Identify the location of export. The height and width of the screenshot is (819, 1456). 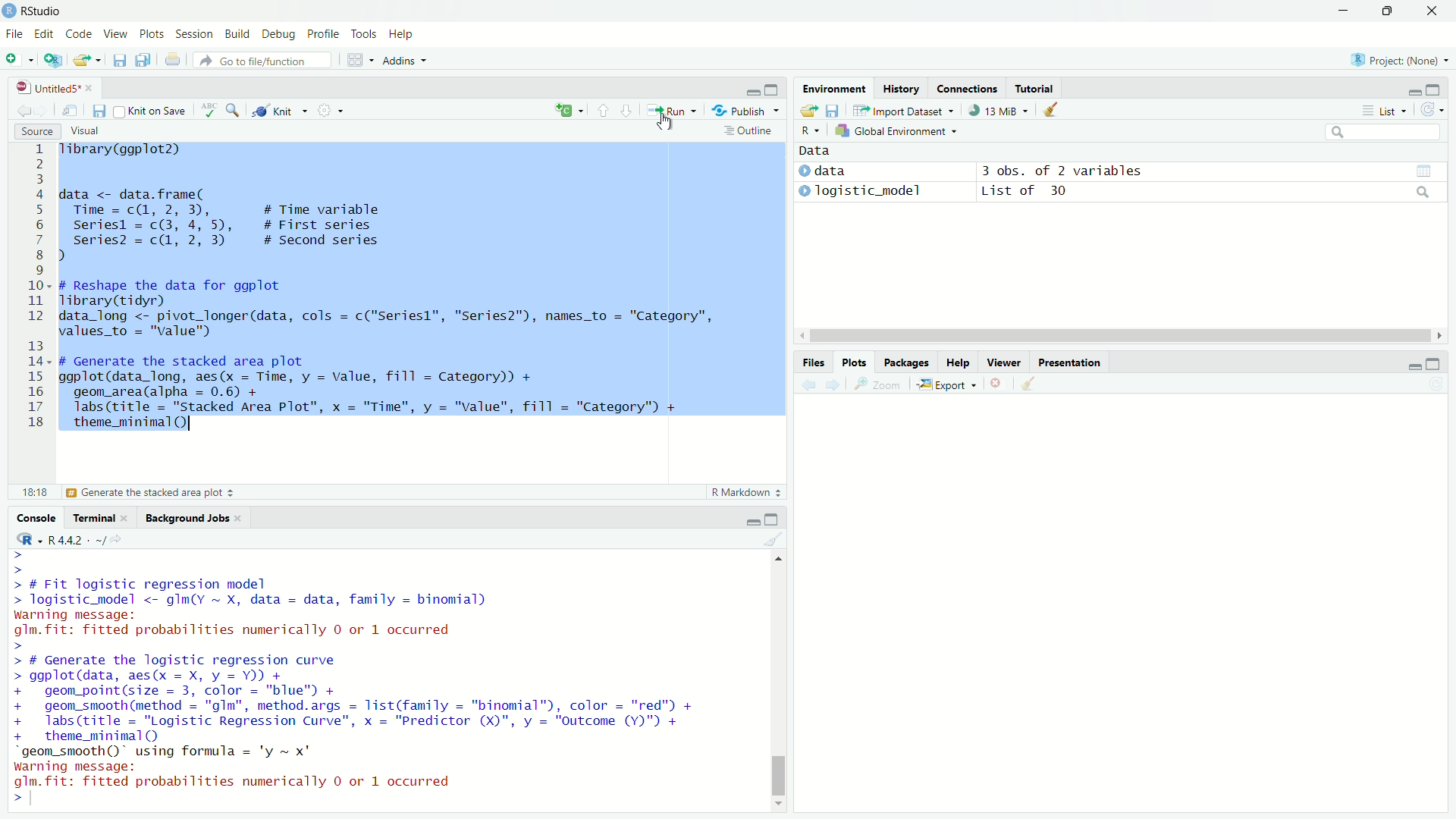
(85, 62).